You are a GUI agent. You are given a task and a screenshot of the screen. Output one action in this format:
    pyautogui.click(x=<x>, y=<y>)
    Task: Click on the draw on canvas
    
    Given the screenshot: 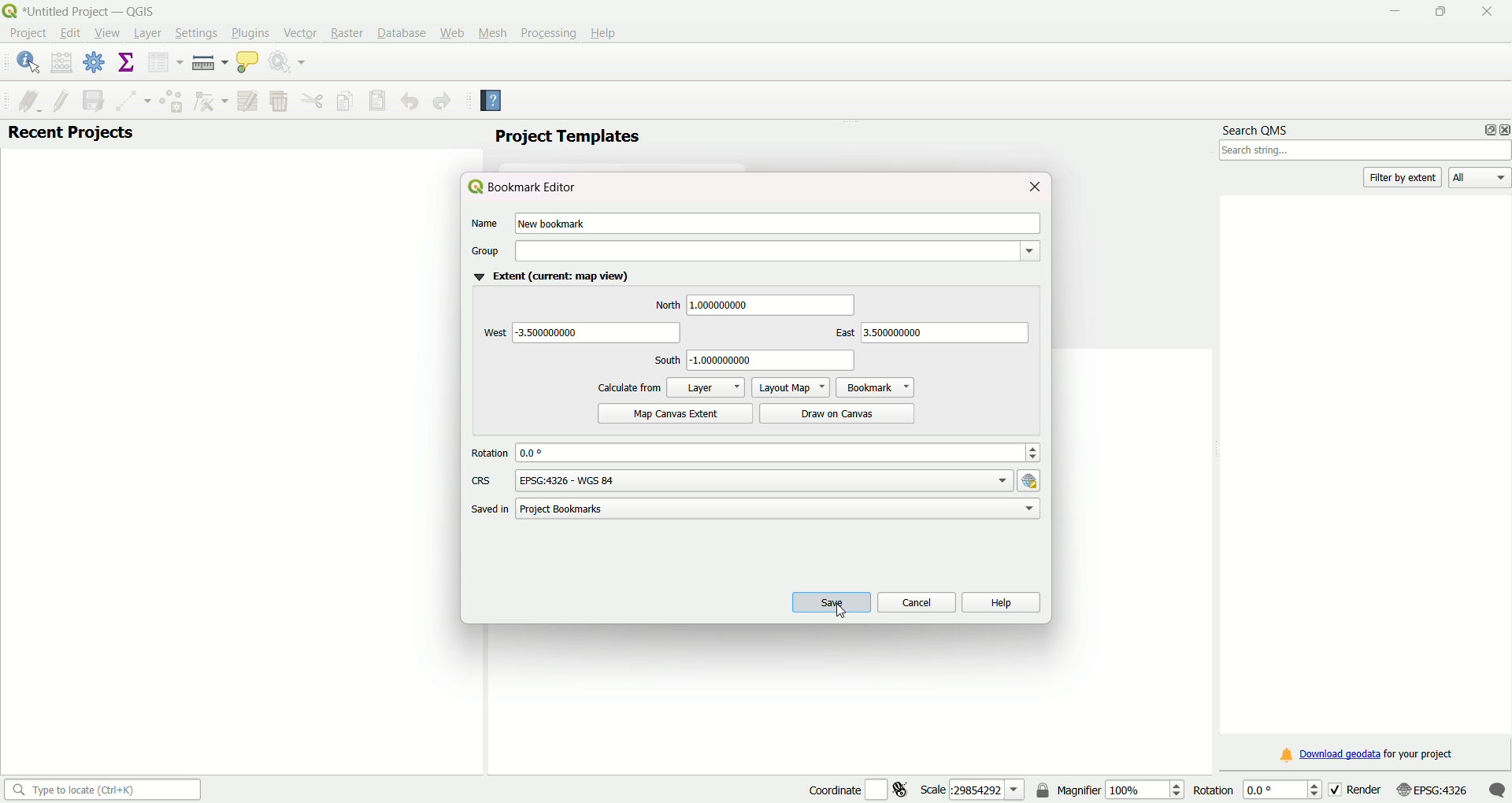 What is the action you would take?
    pyautogui.click(x=839, y=413)
    